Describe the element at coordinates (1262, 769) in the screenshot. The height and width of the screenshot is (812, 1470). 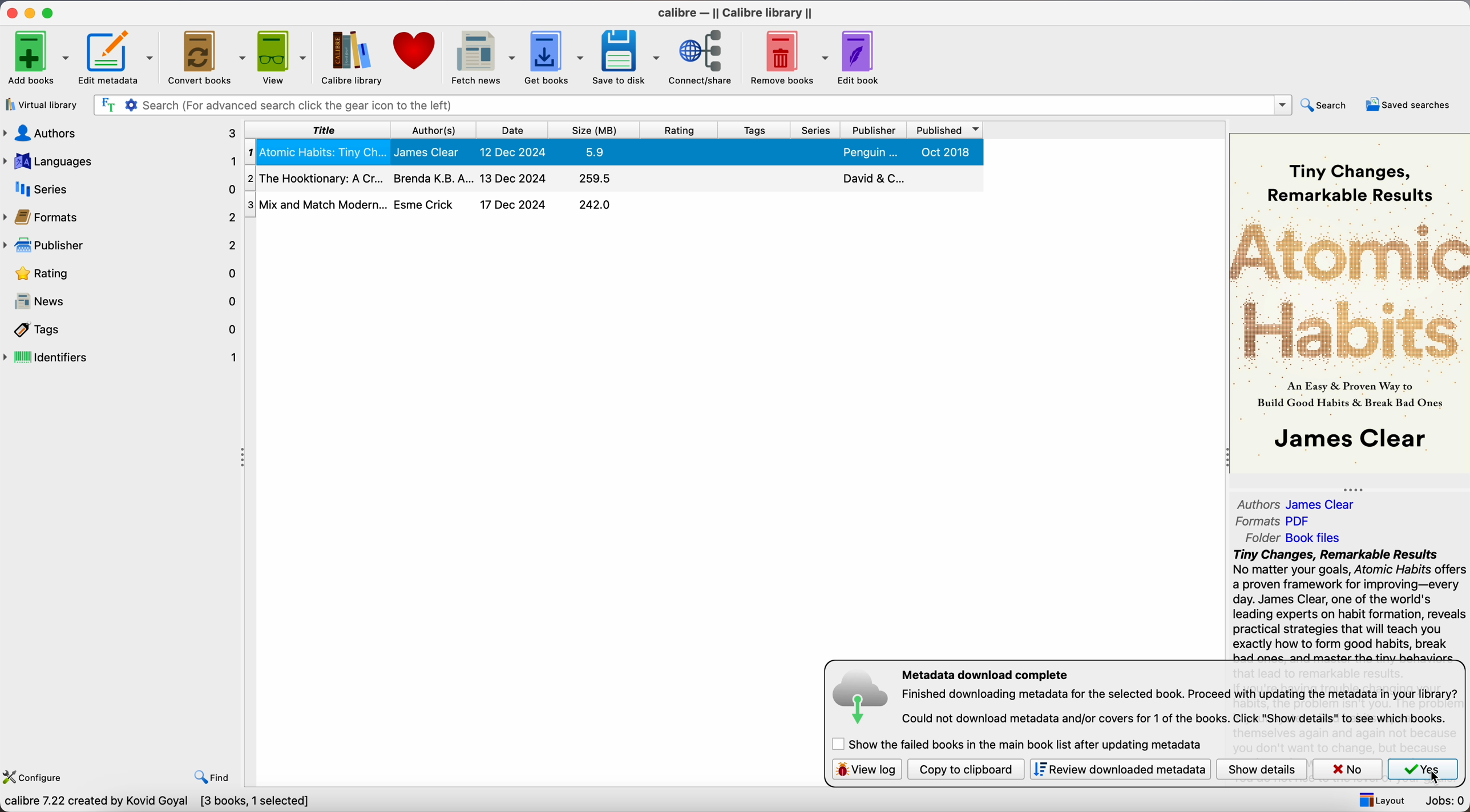
I see `show details` at that location.